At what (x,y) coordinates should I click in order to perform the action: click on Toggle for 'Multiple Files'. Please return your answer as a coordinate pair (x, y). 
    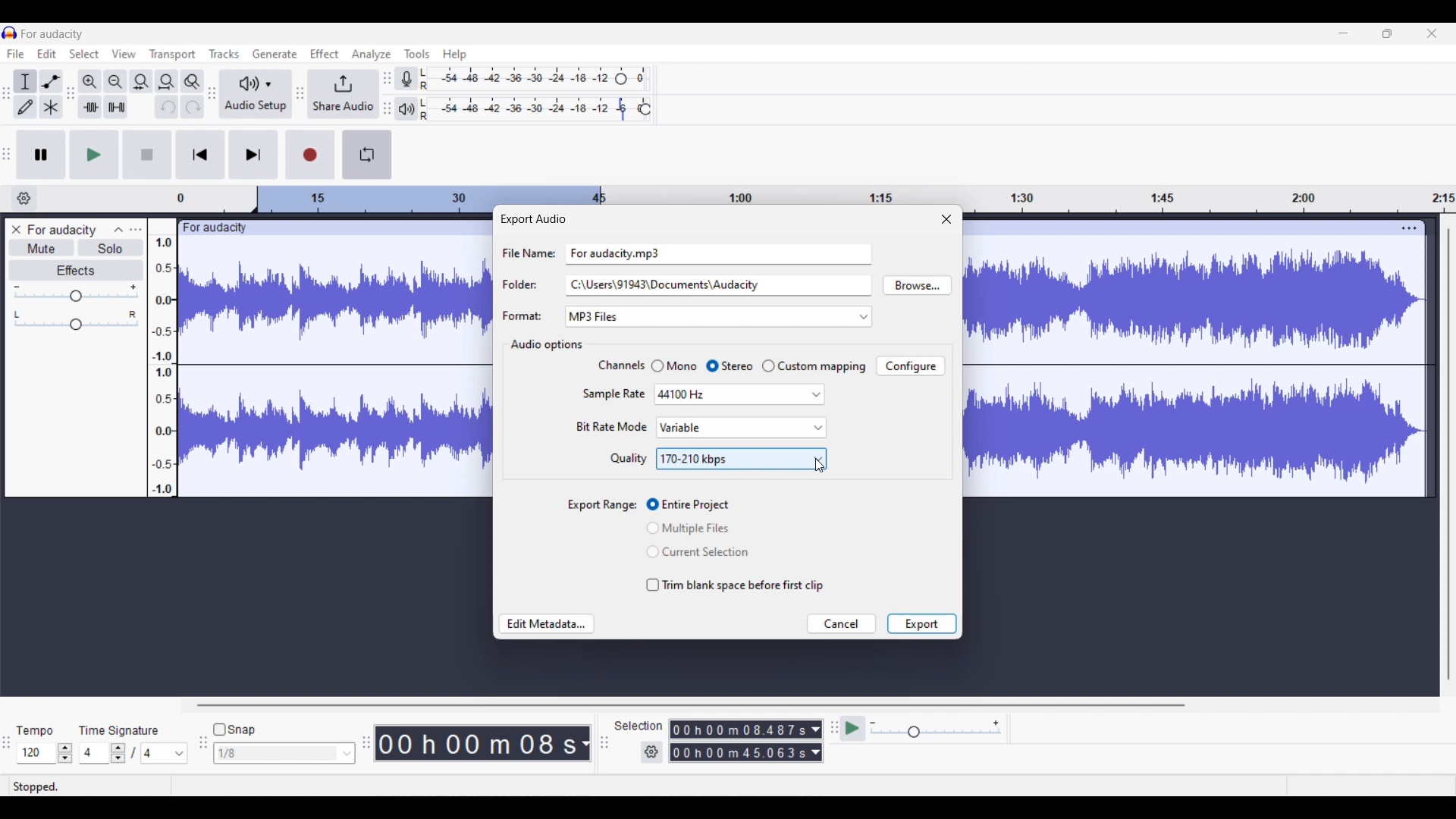
    Looking at the image, I should click on (698, 528).